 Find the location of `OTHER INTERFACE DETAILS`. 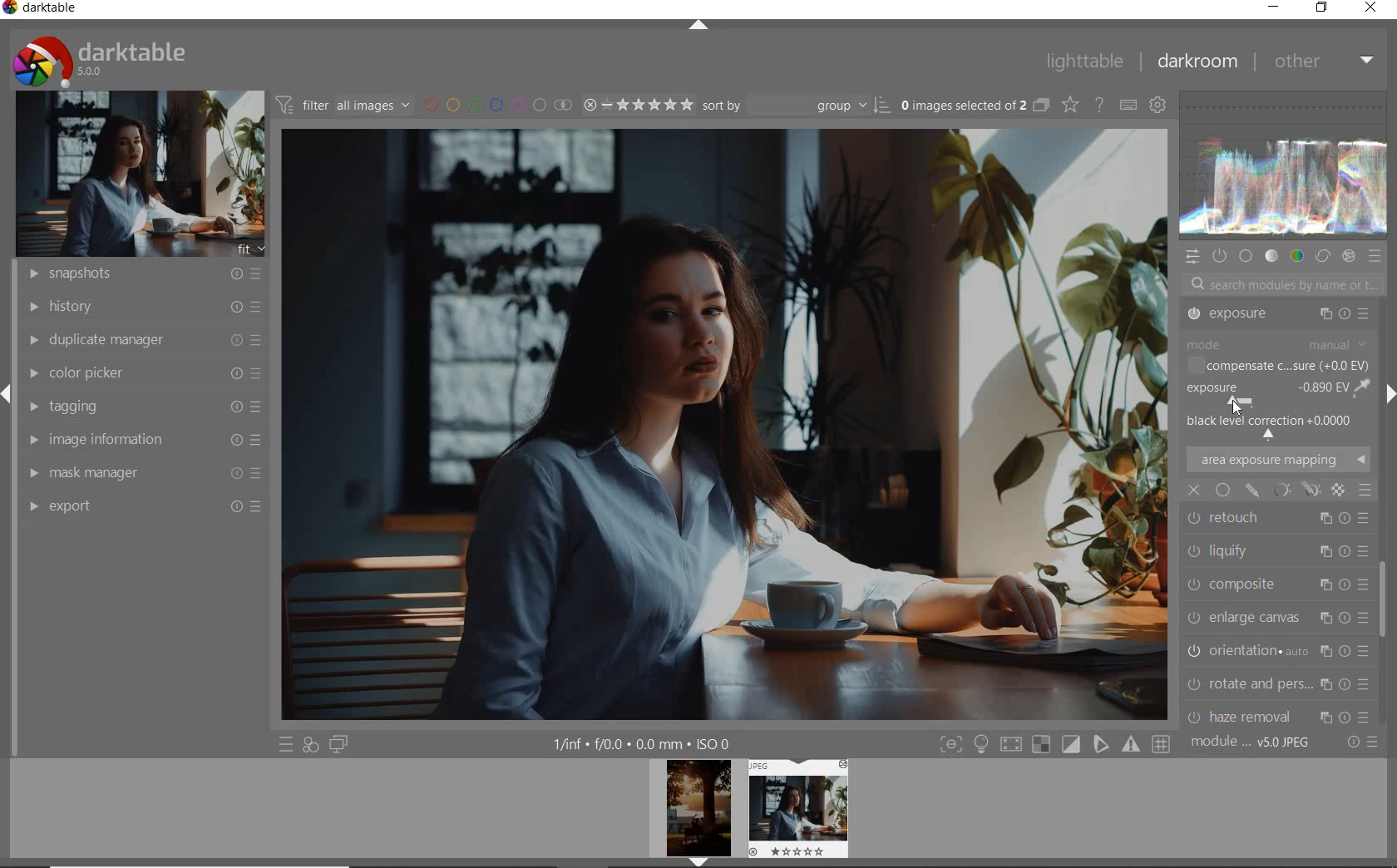

OTHER INTERFACE DETAILS is located at coordinates (643, 744).